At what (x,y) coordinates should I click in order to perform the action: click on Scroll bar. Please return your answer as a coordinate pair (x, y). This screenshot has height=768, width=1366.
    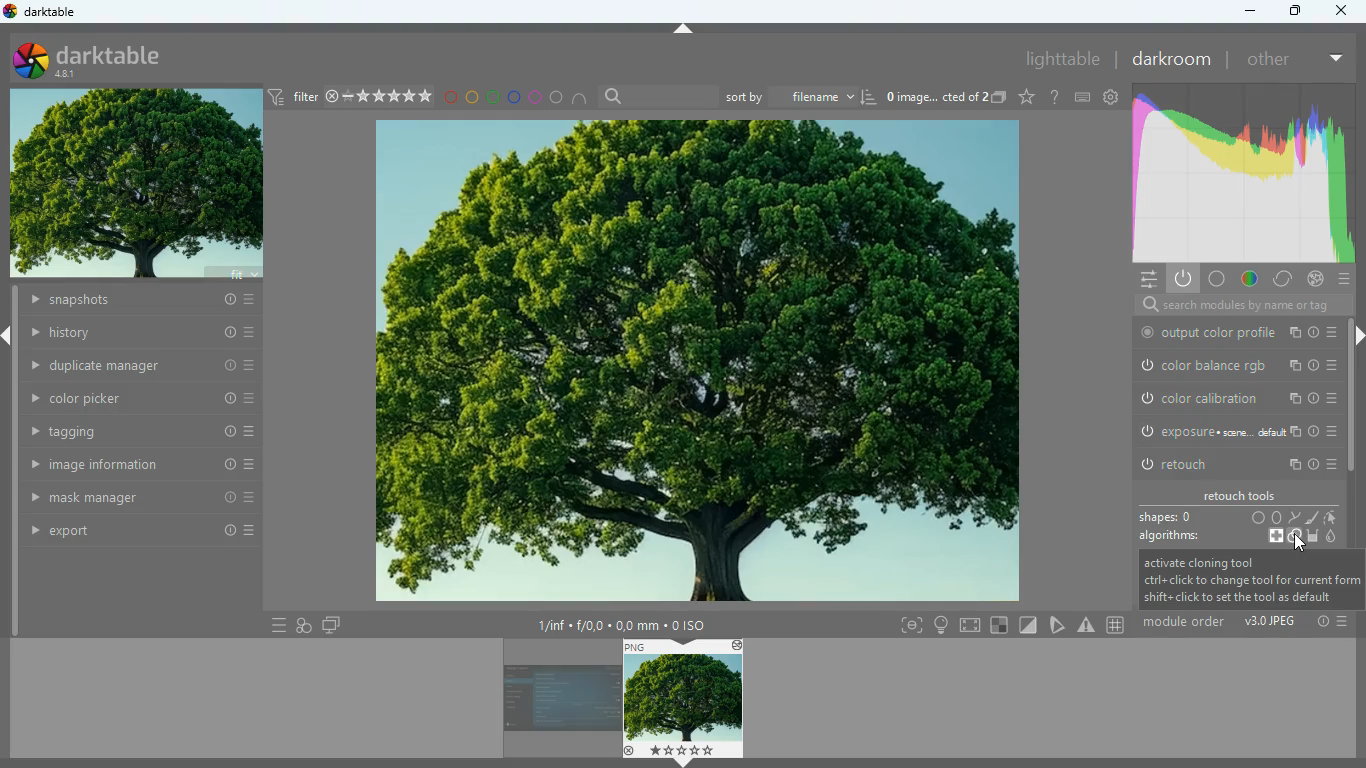
    Looking at the image, I should click on (1357, 394).